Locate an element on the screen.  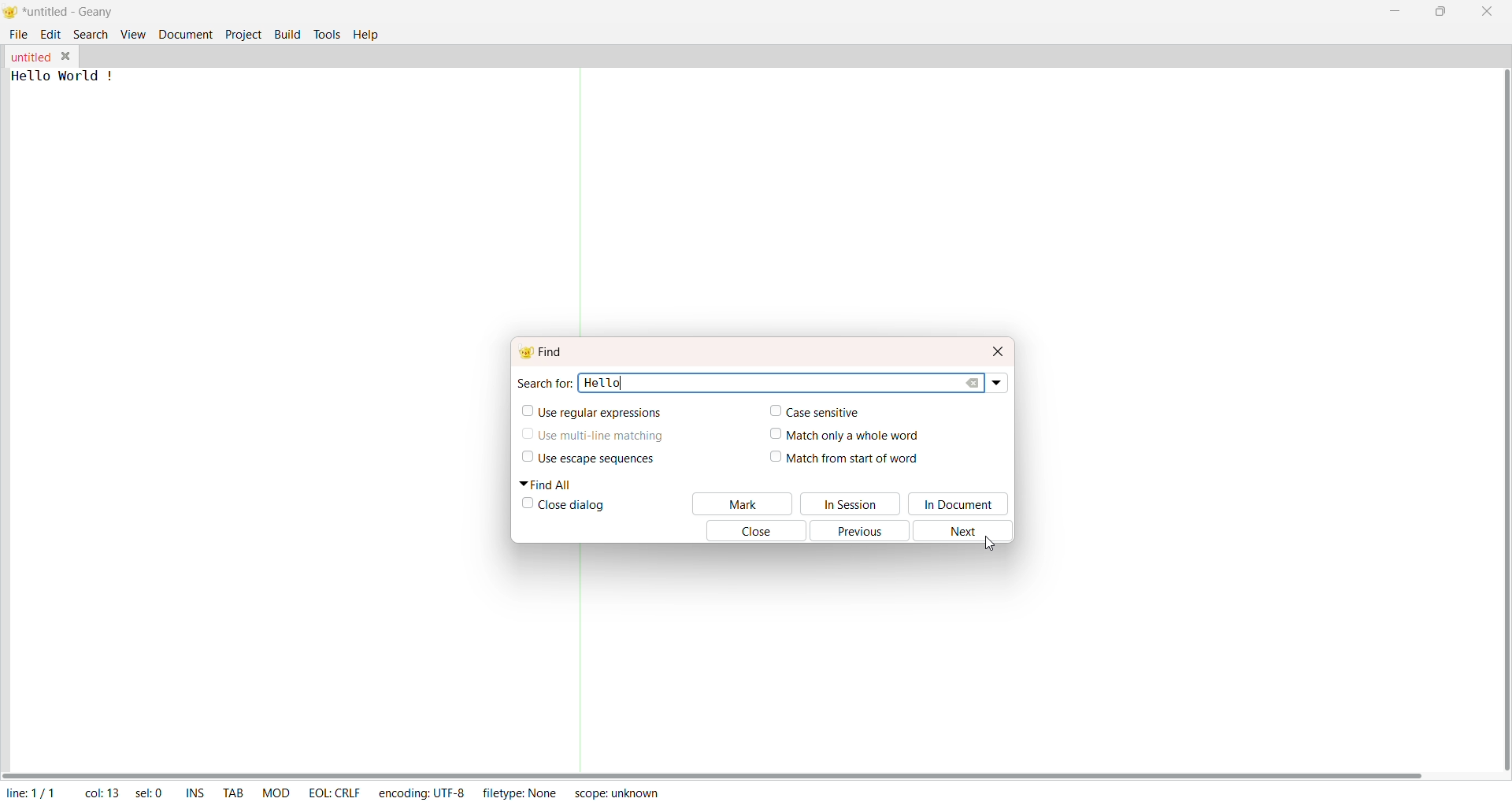
match only a whole world is located at coordinates (862, 435).